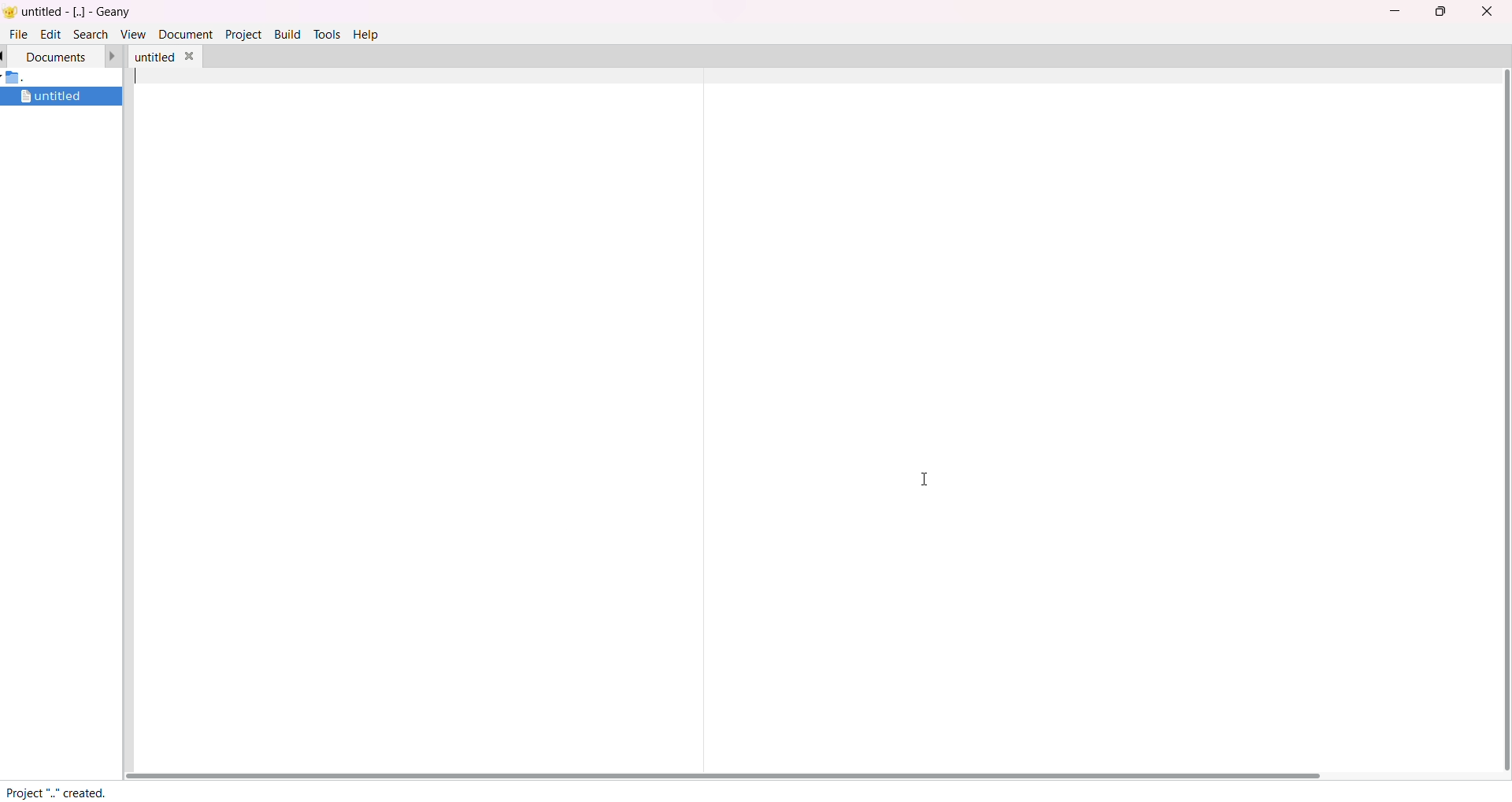  Describe the element at coordinates (132, 33) in the screenshot. I see `view` at that location.